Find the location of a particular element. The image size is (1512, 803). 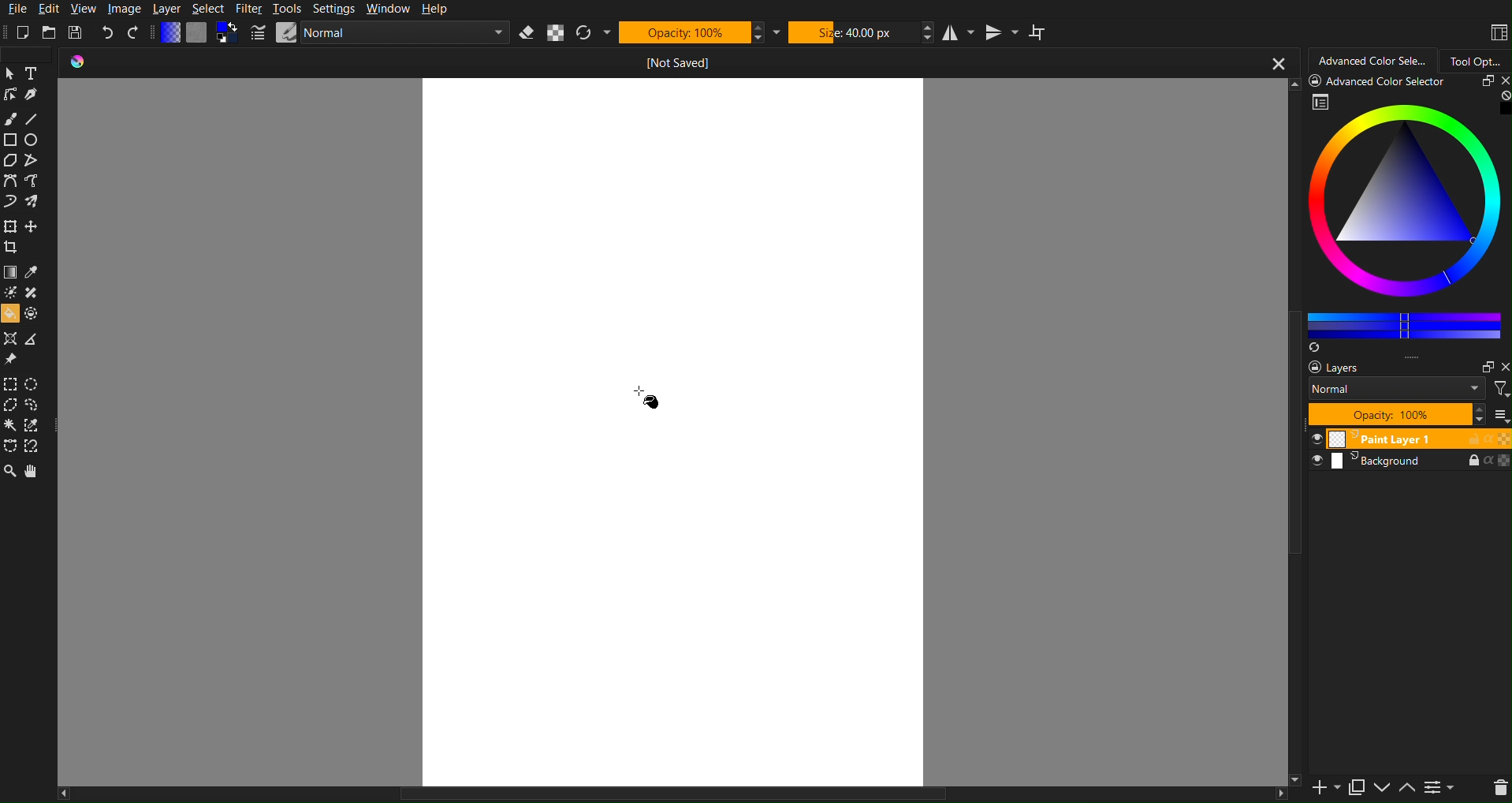

Text is located at coordinates (34, 72).